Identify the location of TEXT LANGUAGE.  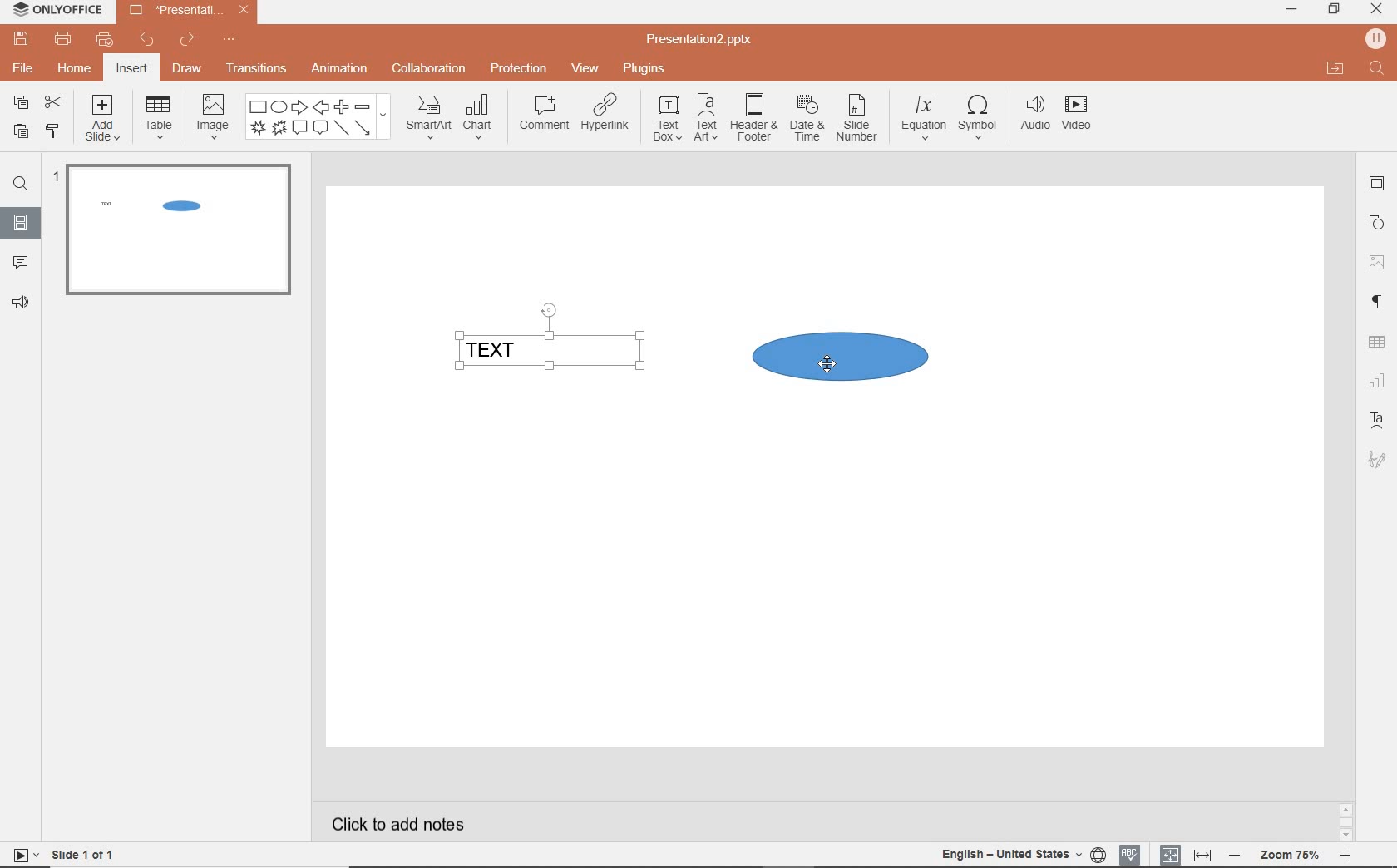
(1021, 855).